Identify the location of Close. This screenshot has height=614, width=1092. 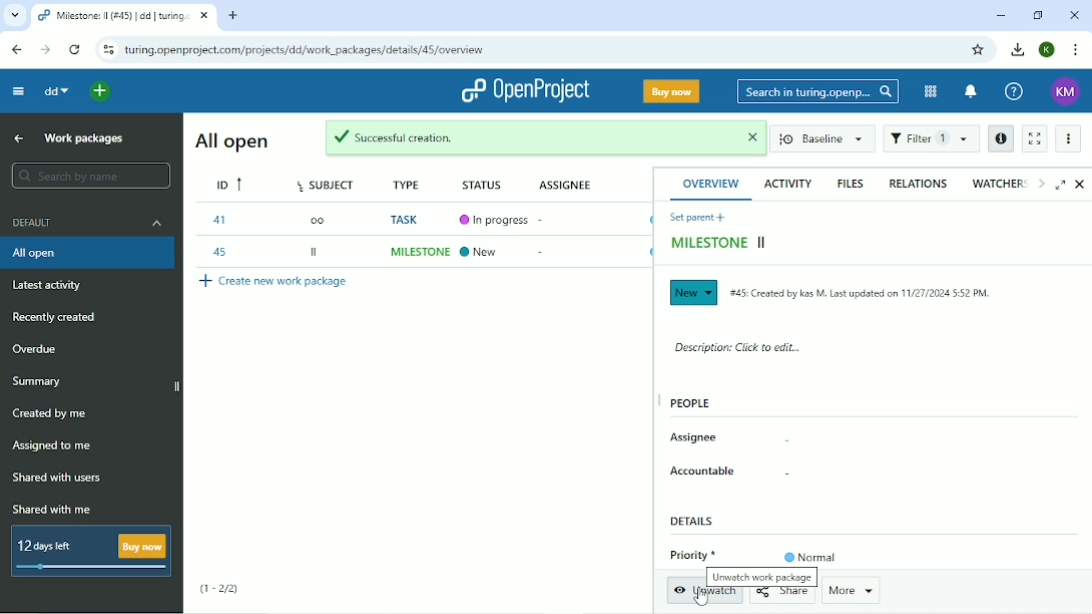
(748, 136).